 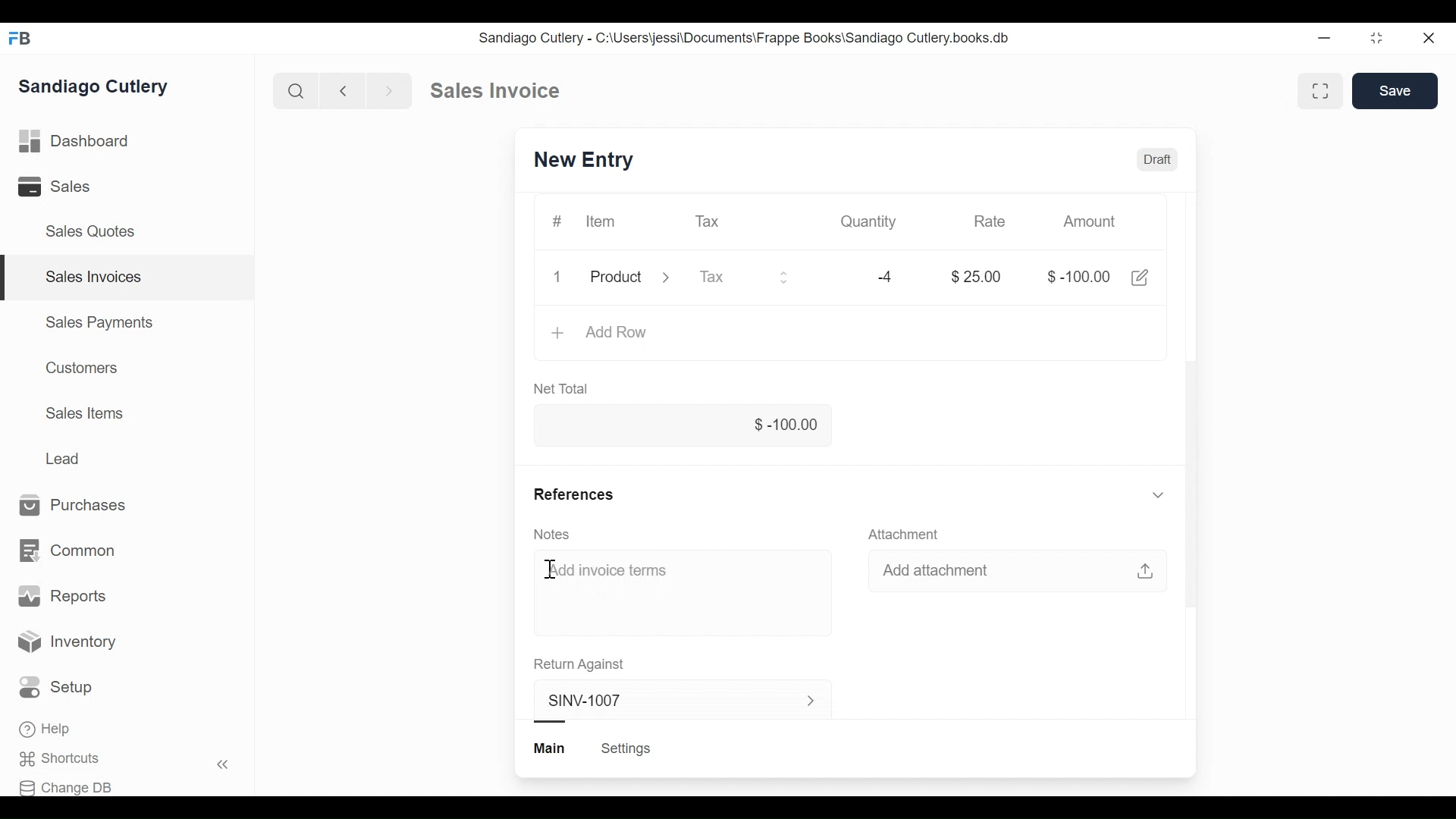 I want to click on References, so click(x=852, y=494).